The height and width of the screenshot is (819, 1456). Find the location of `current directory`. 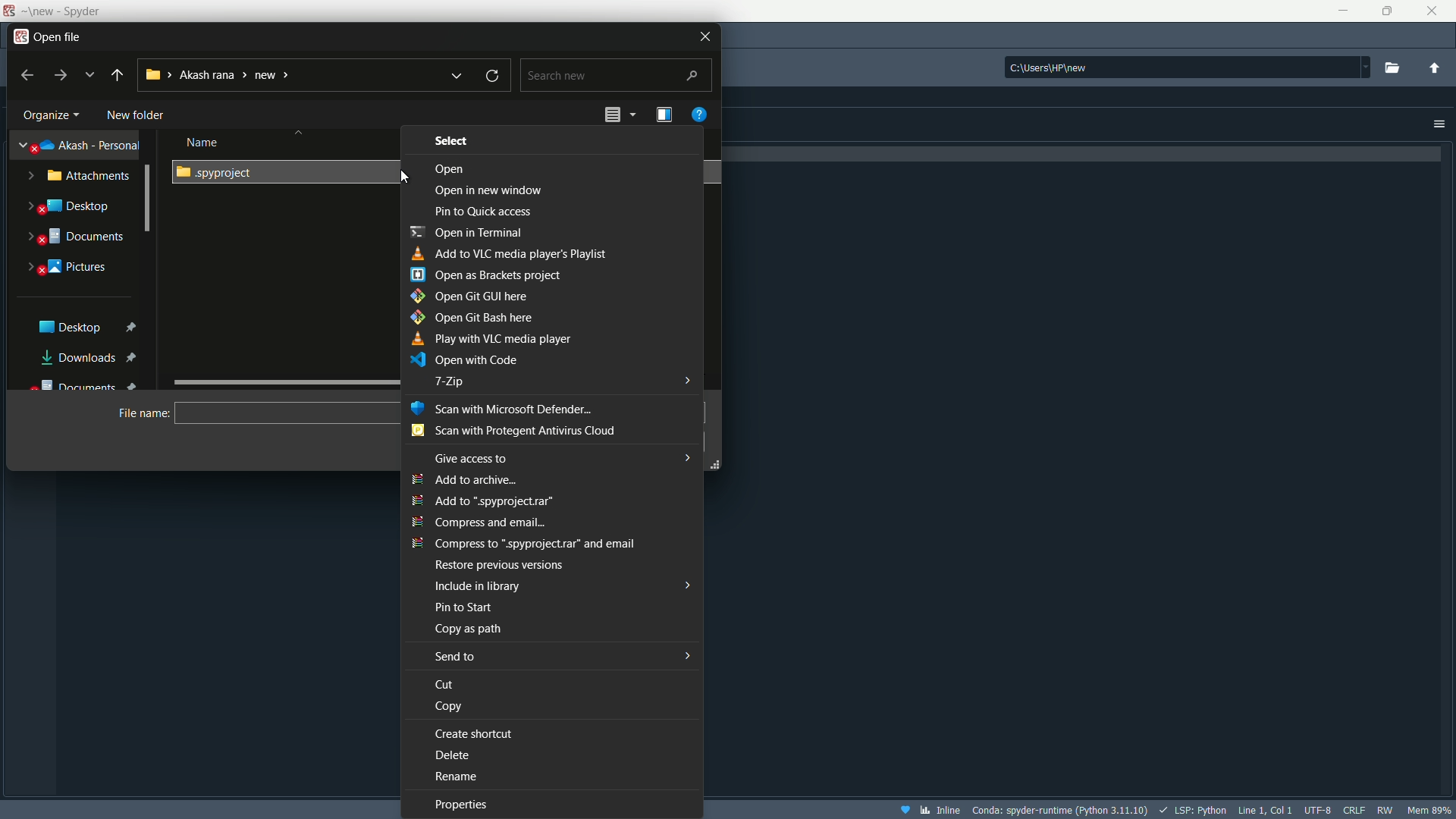

current directory is located at coordinates (219, 75).